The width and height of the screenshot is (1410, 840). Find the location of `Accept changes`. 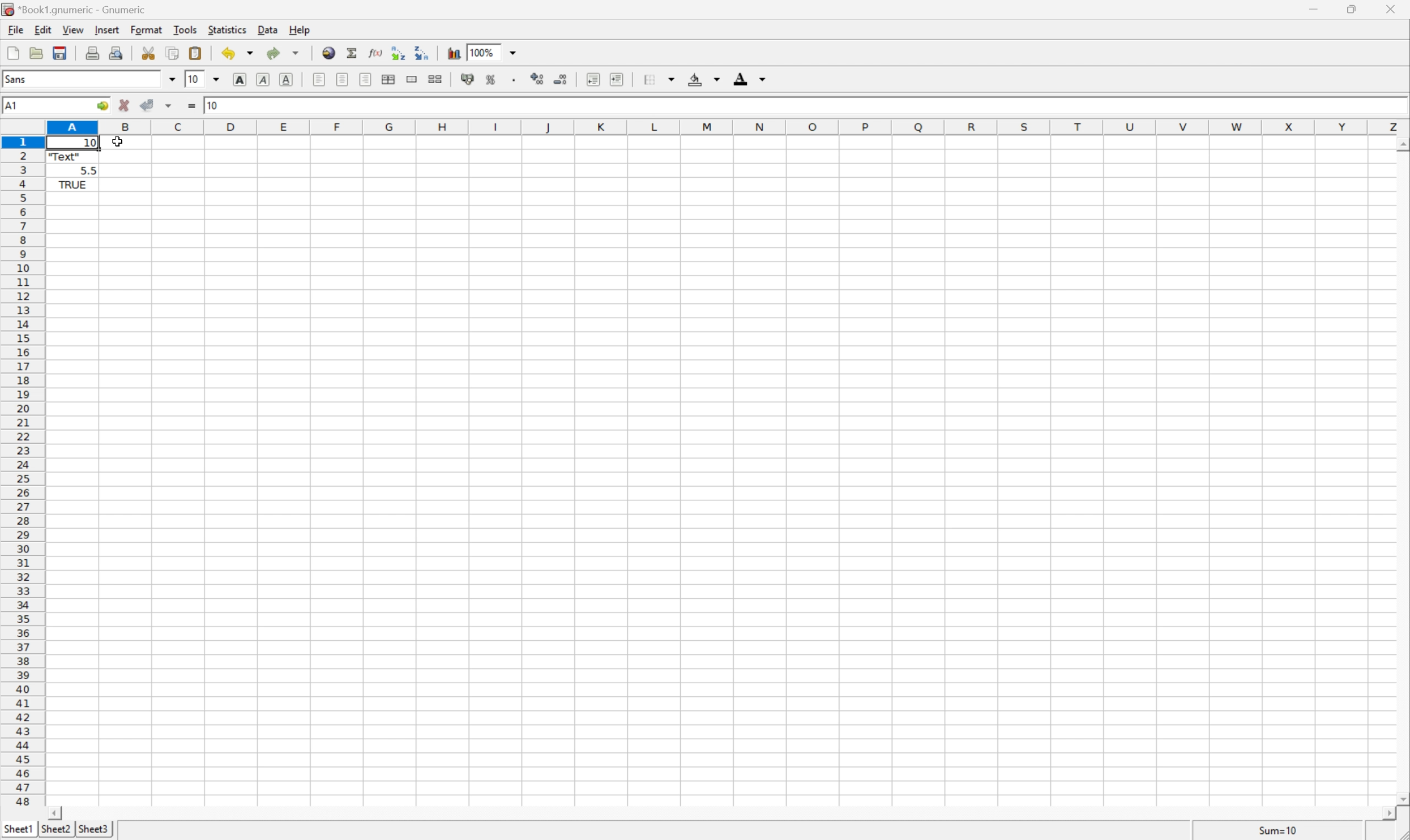

Accept changes is located at coordinates (149, 104).